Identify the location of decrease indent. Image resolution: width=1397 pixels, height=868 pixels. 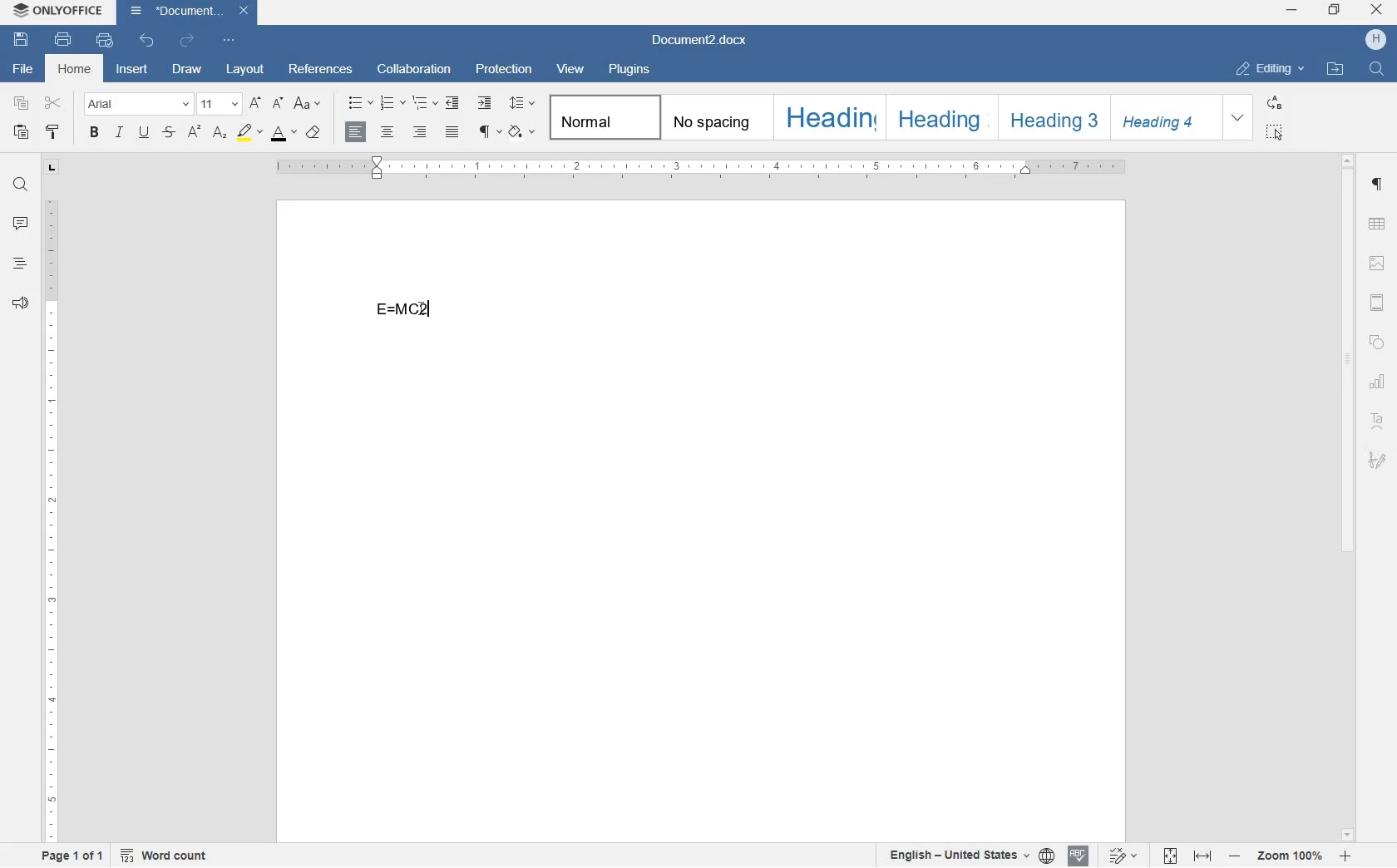
(454, 104).